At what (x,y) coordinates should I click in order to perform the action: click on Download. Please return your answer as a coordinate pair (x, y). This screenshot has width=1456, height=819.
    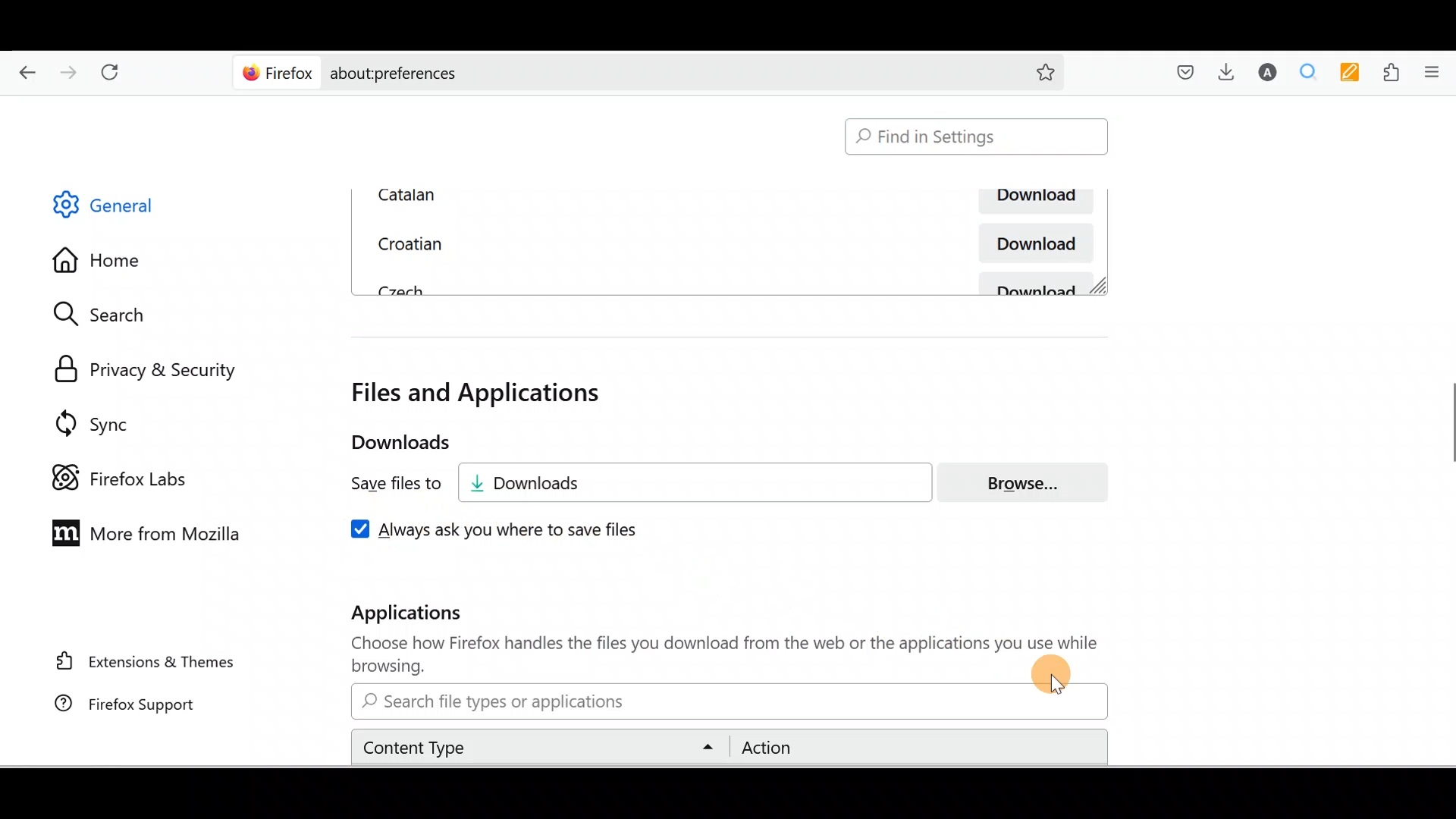
    Looking at the image, I should click on (1031, 243).